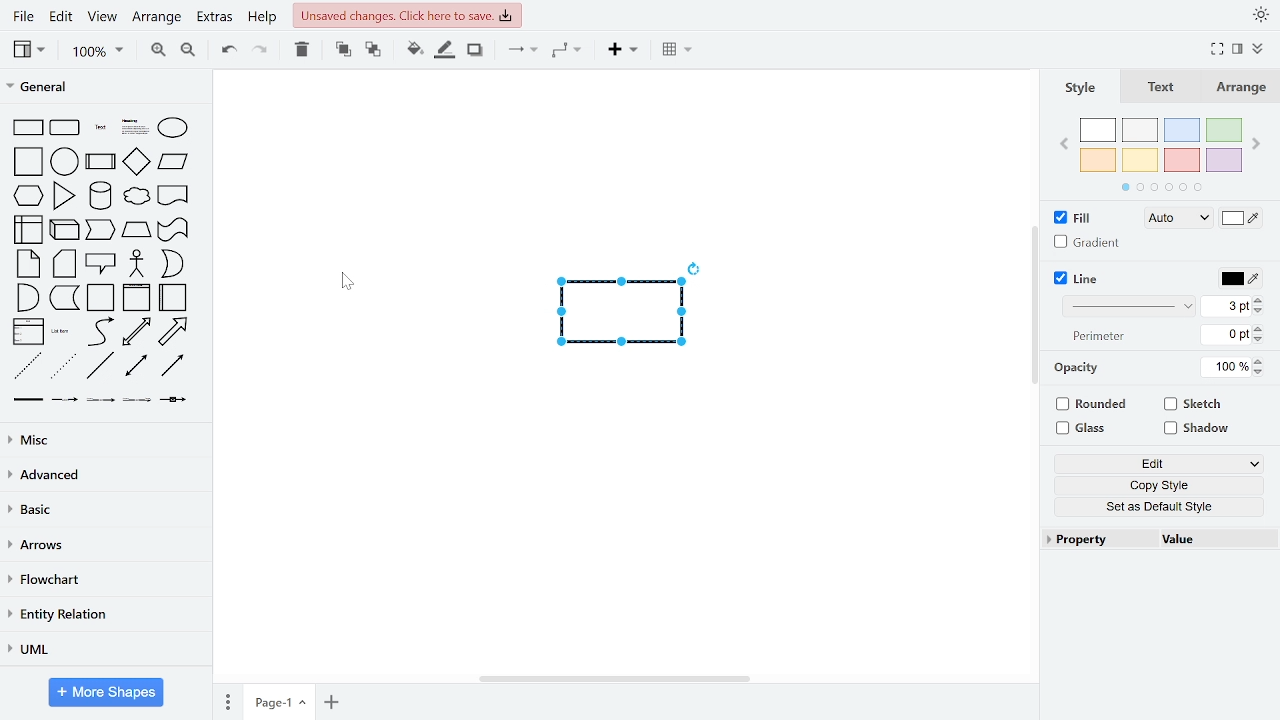 This screenshot has height=720, width=1280. Describe the element at coordinates (262, 17) in the screenshot. I see `help` at that location.